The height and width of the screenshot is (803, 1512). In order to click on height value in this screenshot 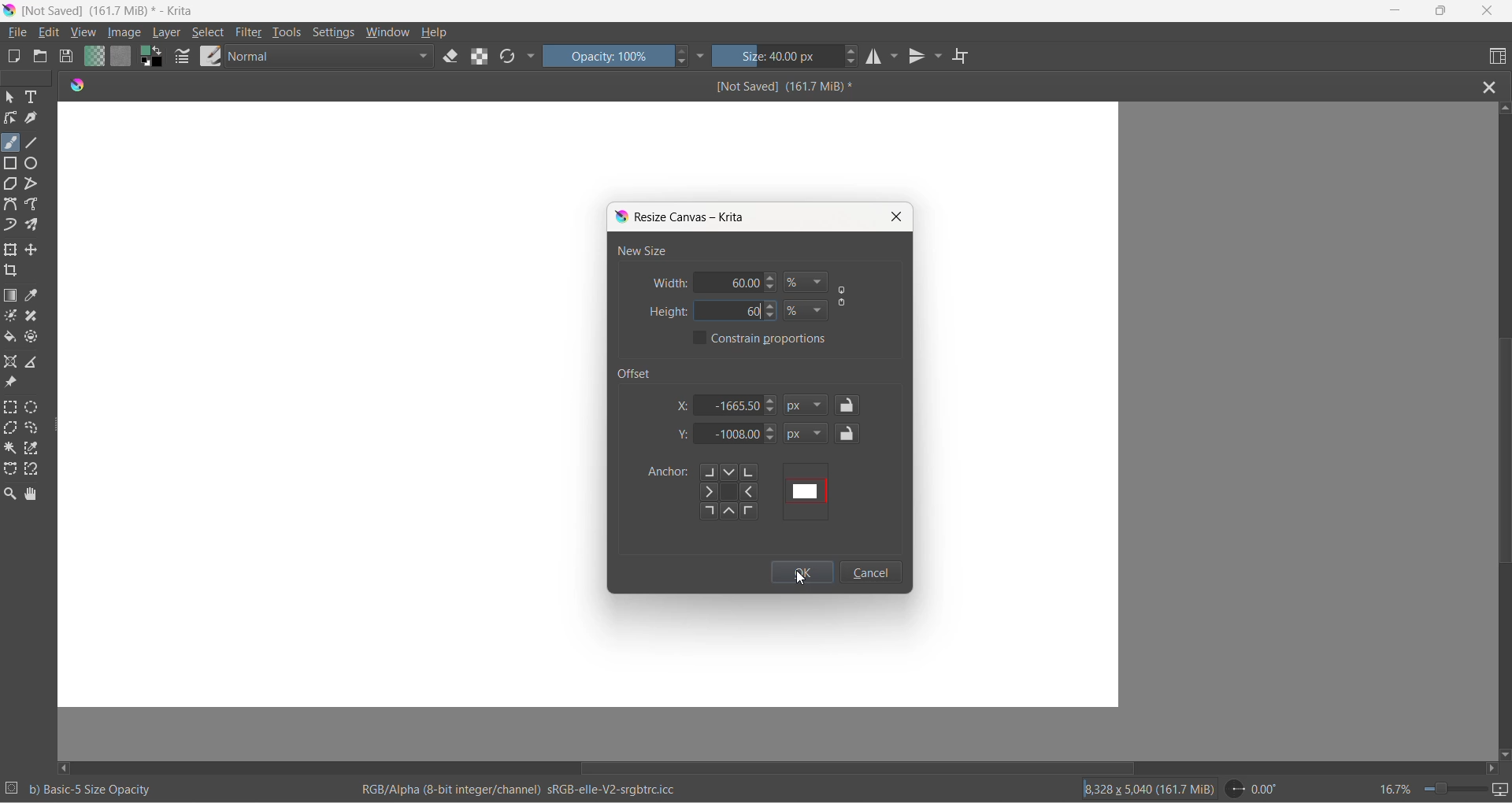, I will do `click(748, 312)`.